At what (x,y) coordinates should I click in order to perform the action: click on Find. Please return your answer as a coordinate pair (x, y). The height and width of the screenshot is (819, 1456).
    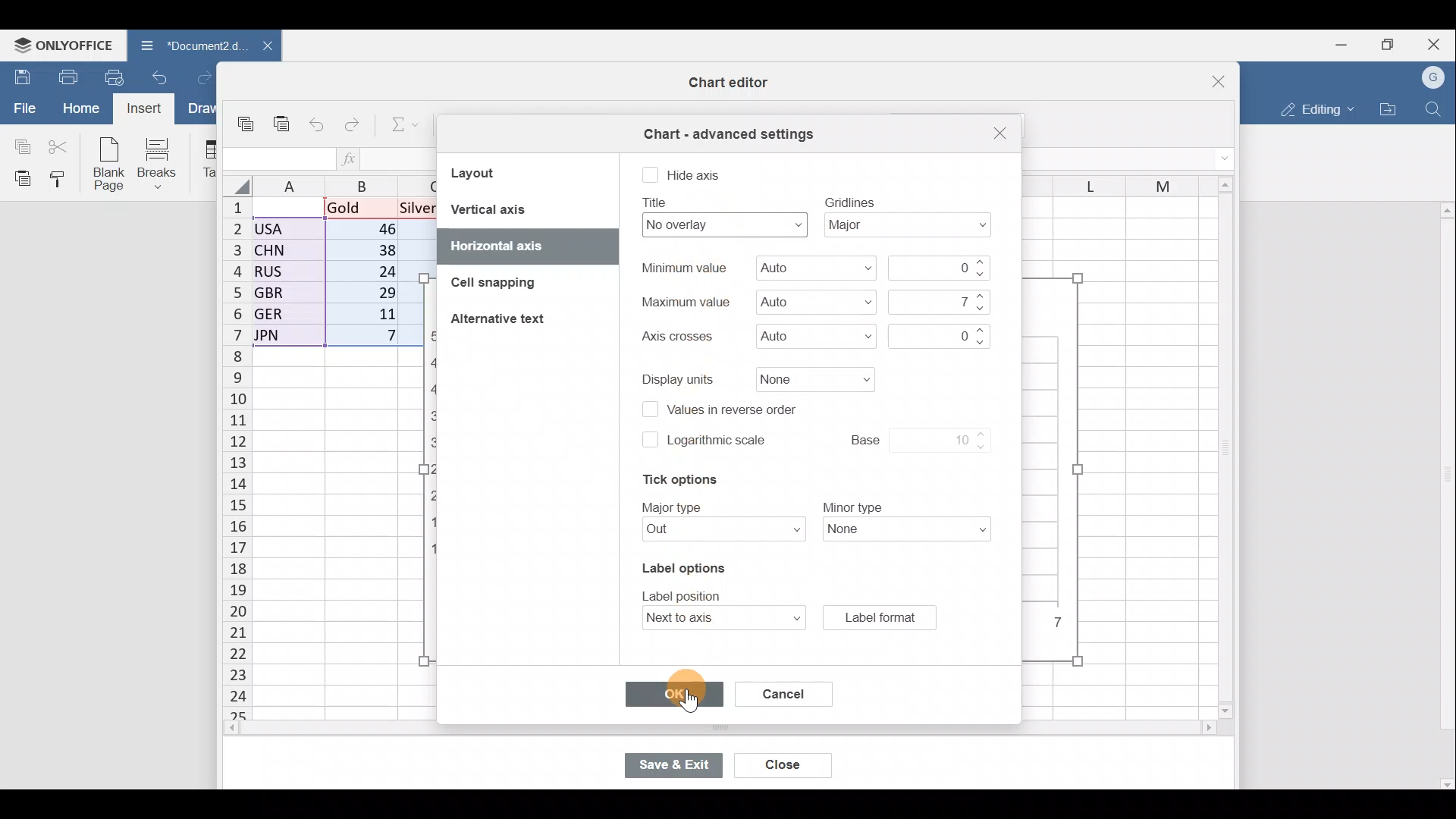
    Looking at the image, I should click on (1434, 109).